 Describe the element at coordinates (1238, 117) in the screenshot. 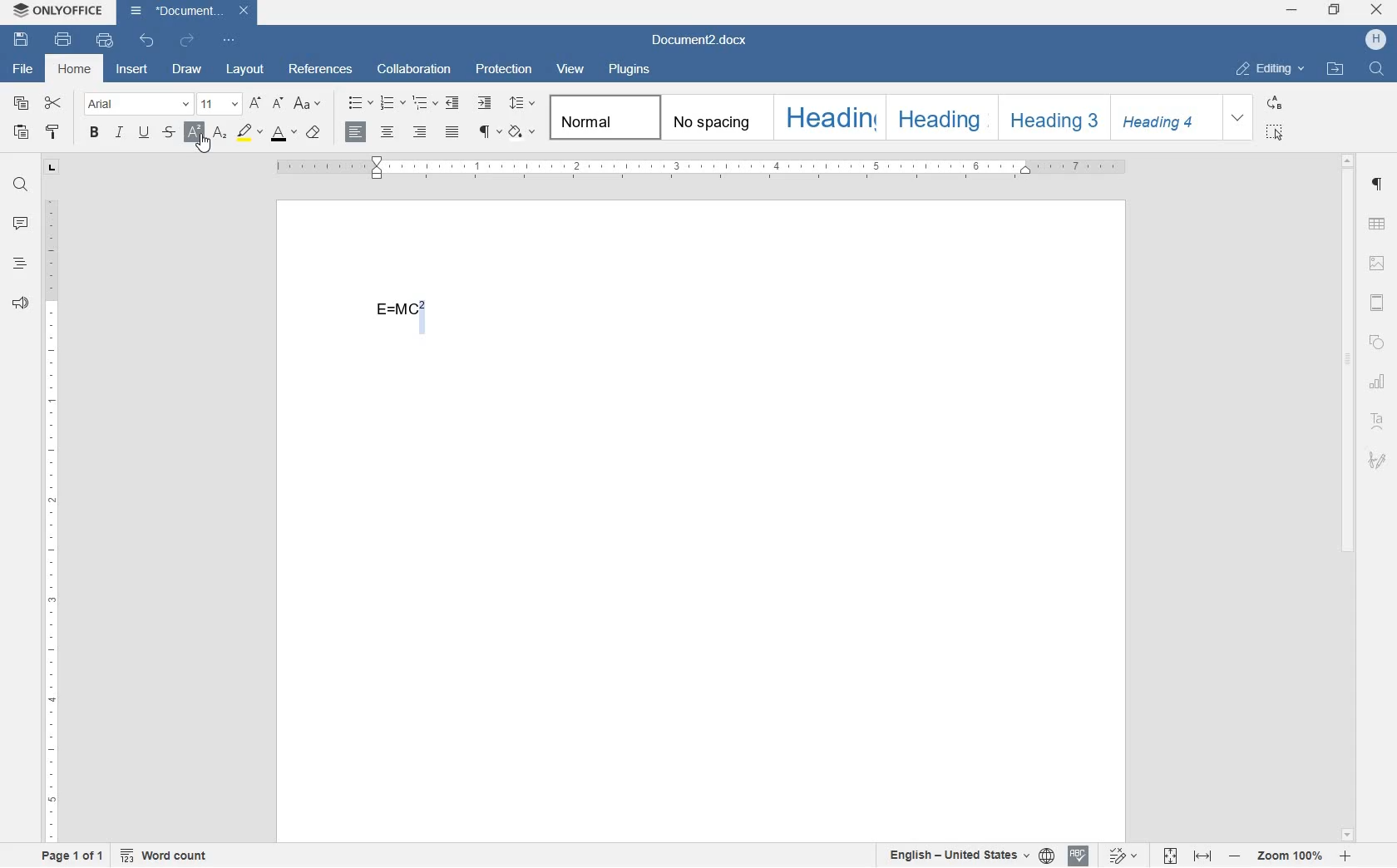

I see `expand formatting style` at that location.